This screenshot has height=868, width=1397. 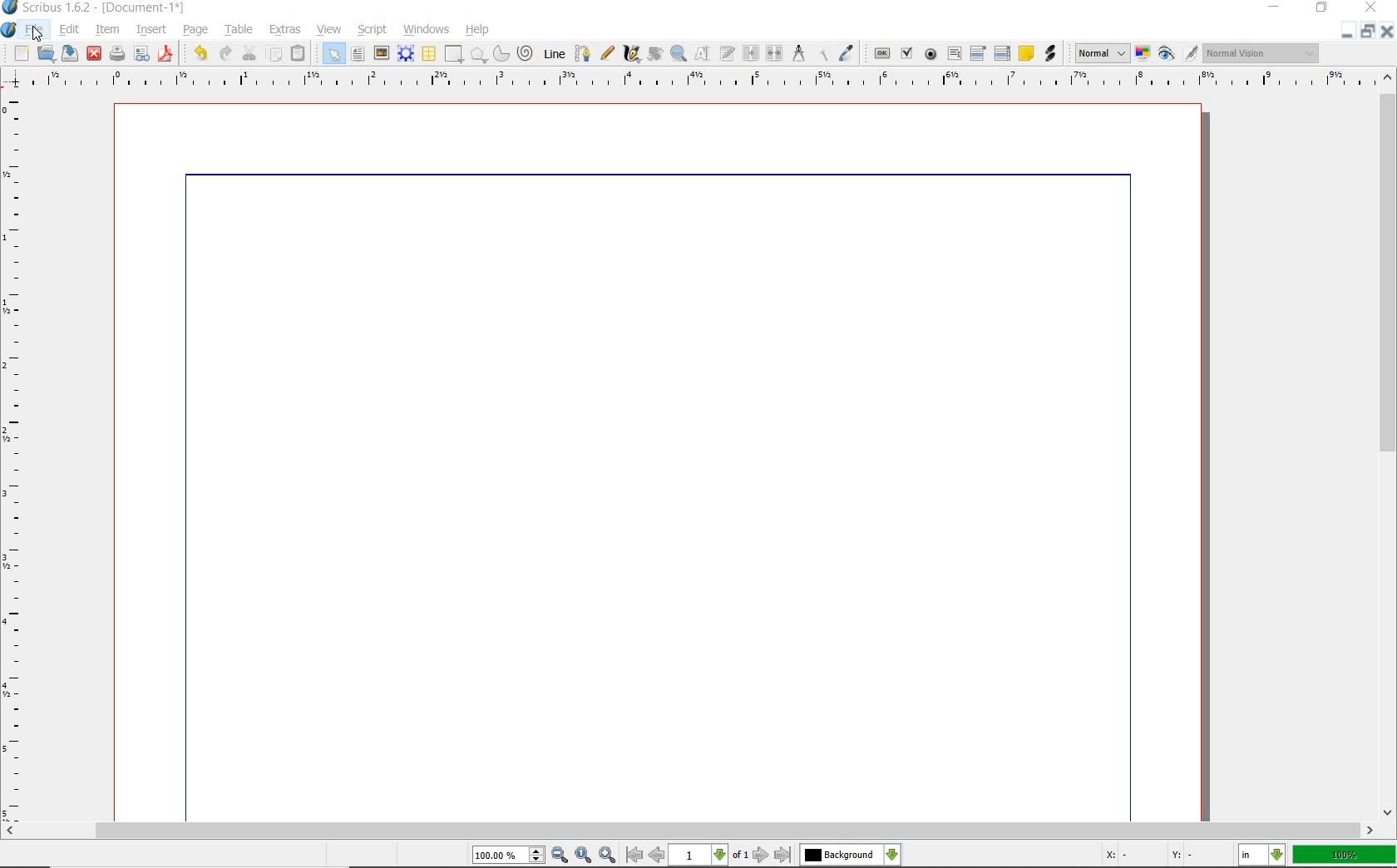 What do you see at coordinates (679, 55) in the screenshot?
I see `zoom in or zoom out` at bounding box center [679, 55].